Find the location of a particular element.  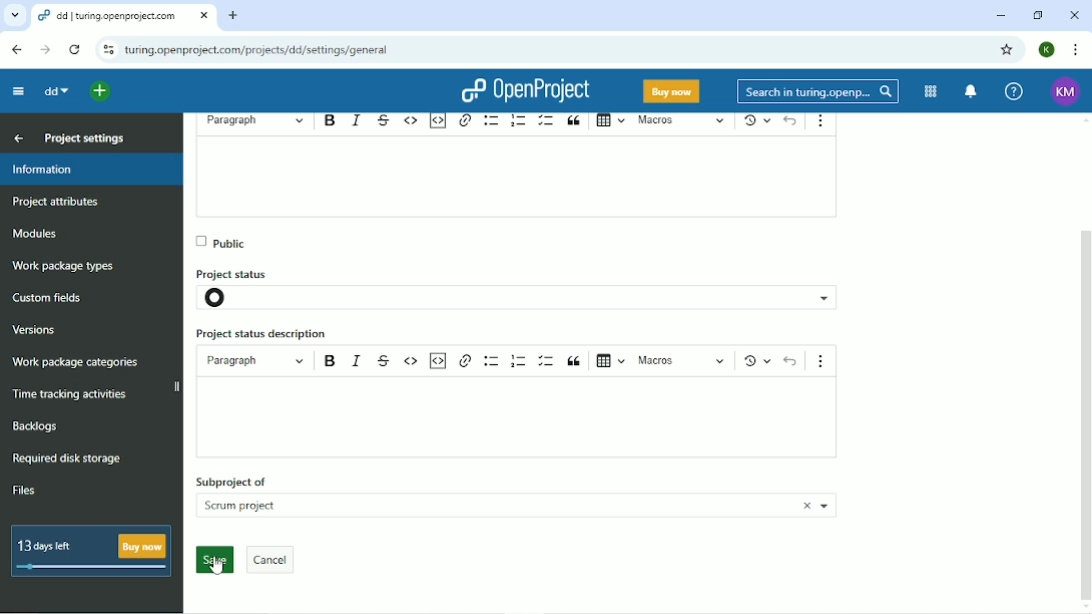

Insert table is located at coordinates (609, 122).